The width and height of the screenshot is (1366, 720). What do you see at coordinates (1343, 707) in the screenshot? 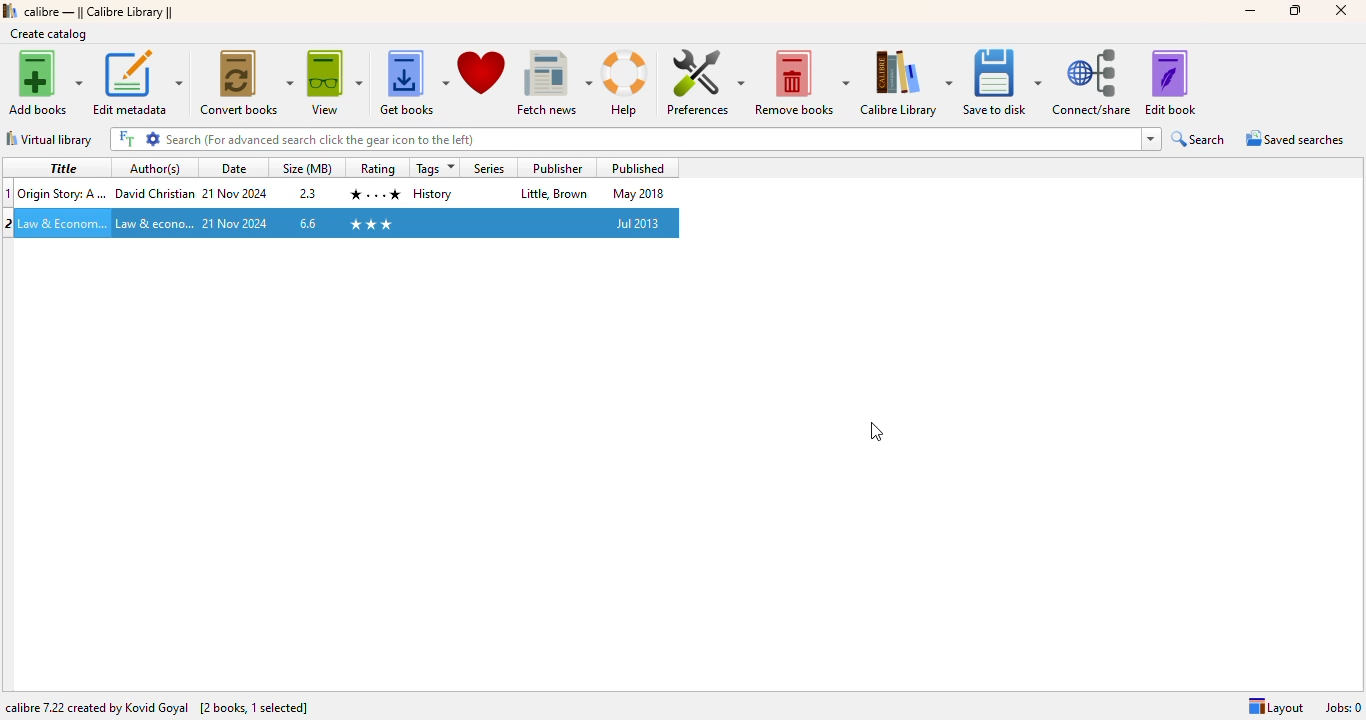
I see `jobs: 0` at bounding box center [1343, 707].